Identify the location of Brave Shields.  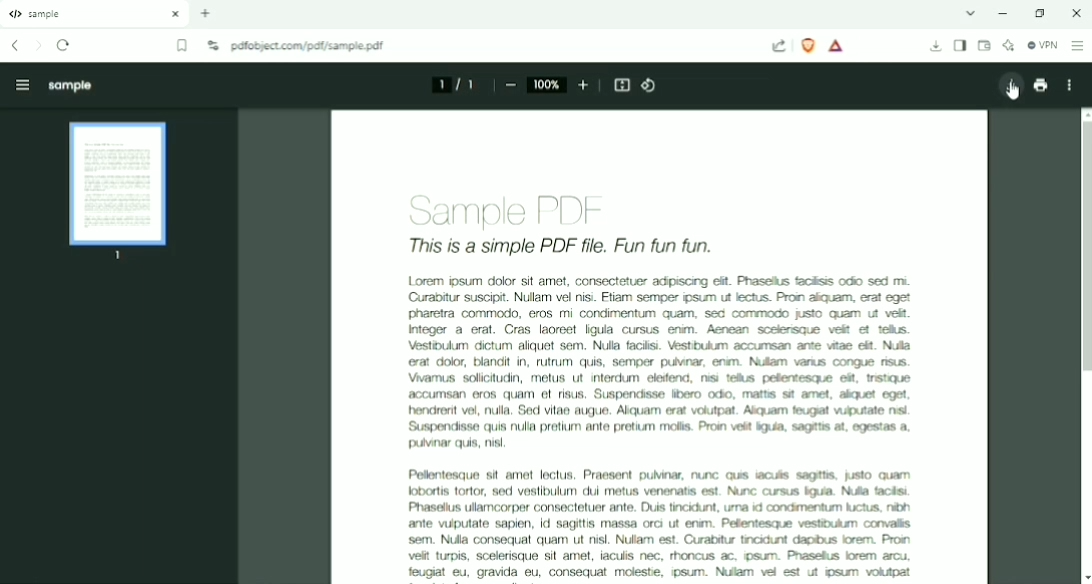
(808, 45).